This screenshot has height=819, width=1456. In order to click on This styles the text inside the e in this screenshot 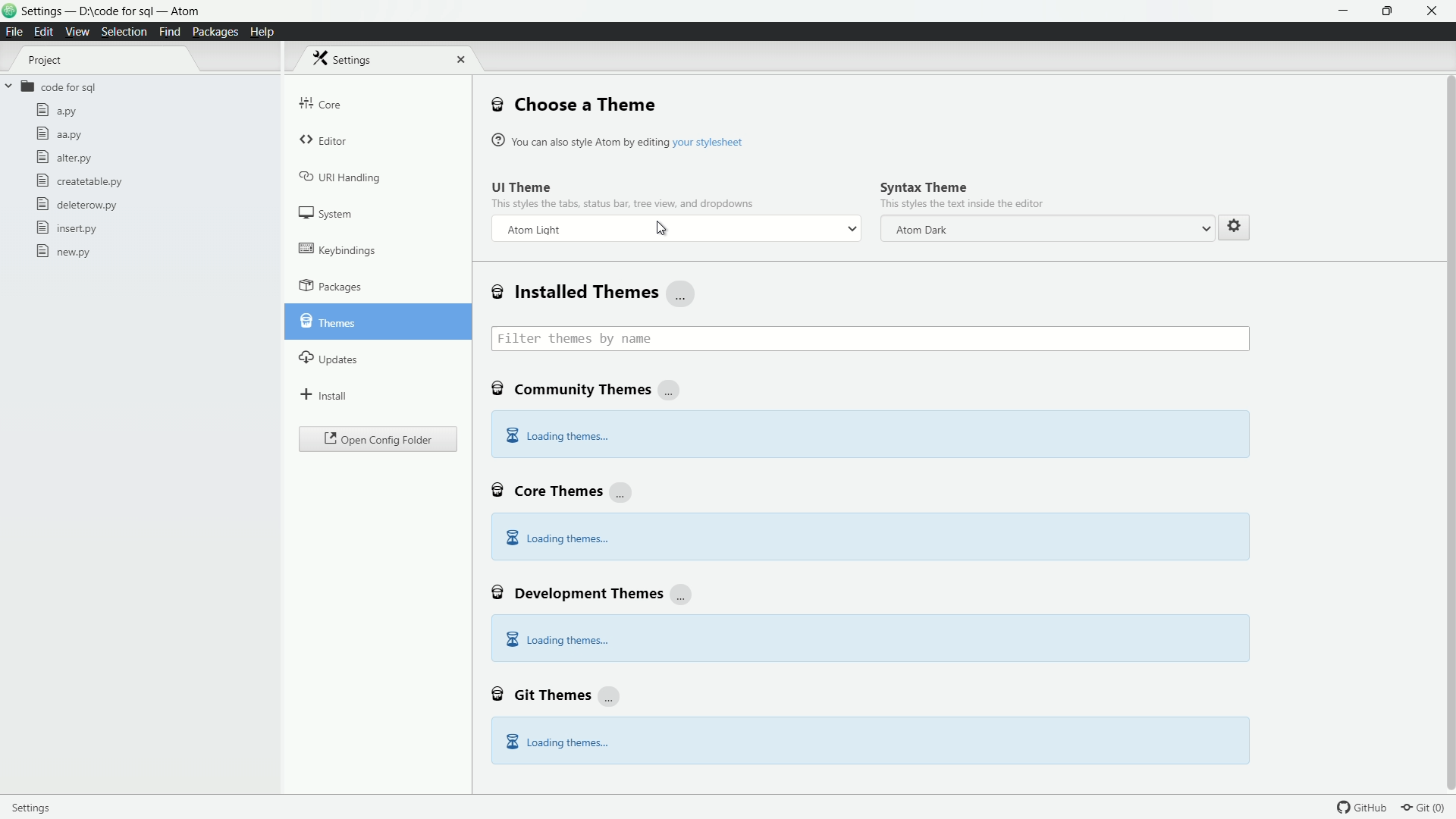, I will do `click(623, 202)`.